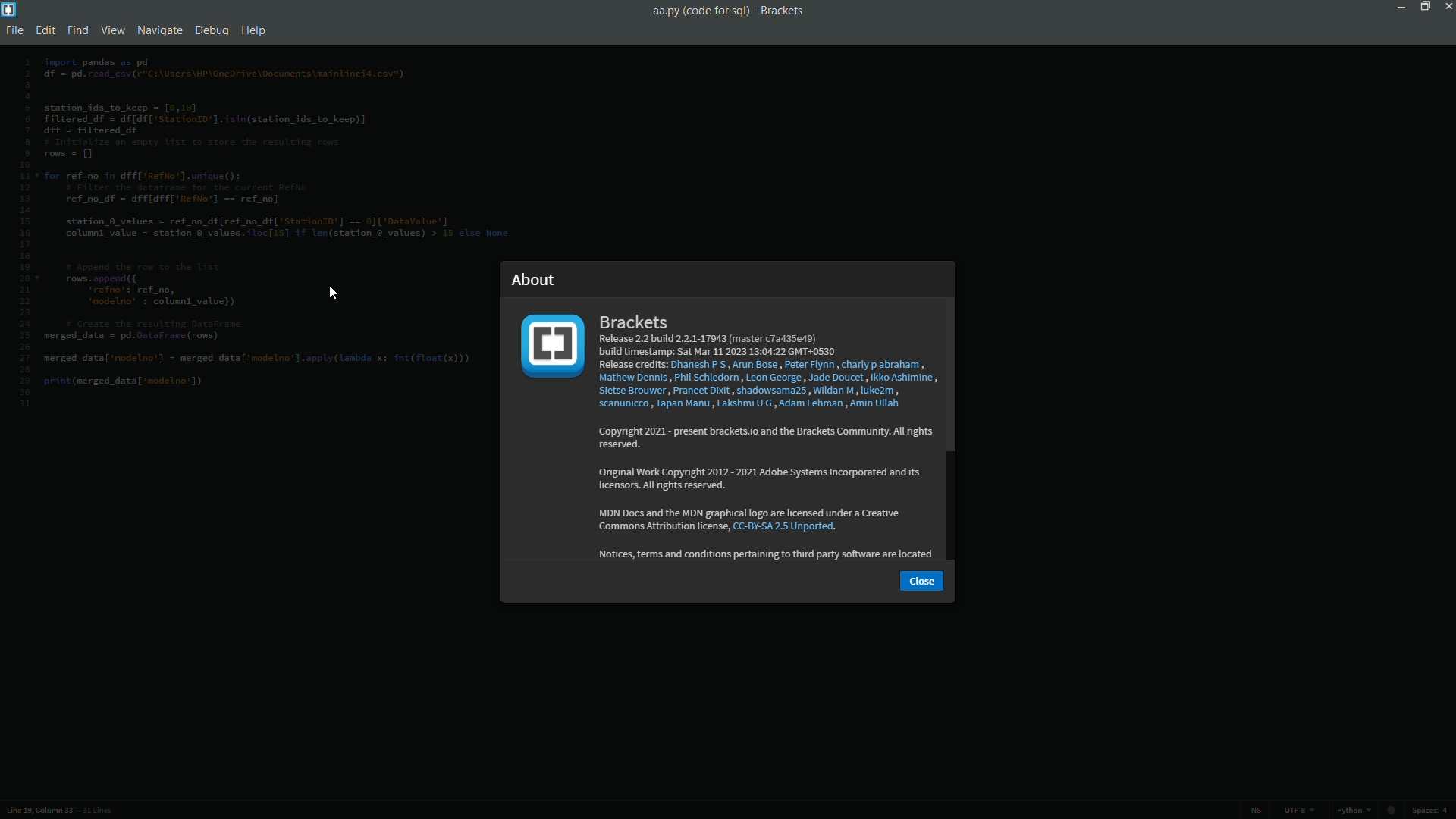 The height and width of the screenshot is (819, 1456). What do you see at coordinates (921, 581) in the screenshot?
I see `close` at bounding box center [921, 581].